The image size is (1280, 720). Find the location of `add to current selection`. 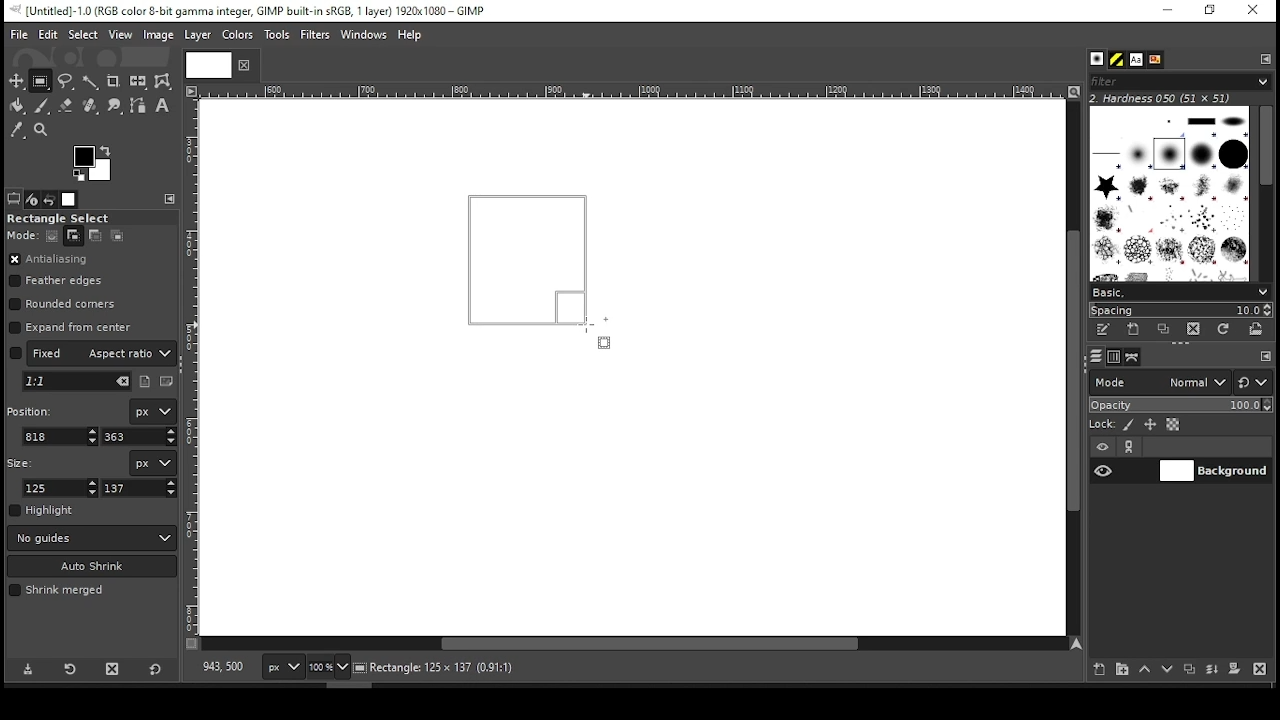

add to current selection is located at coordinates (74, 236).